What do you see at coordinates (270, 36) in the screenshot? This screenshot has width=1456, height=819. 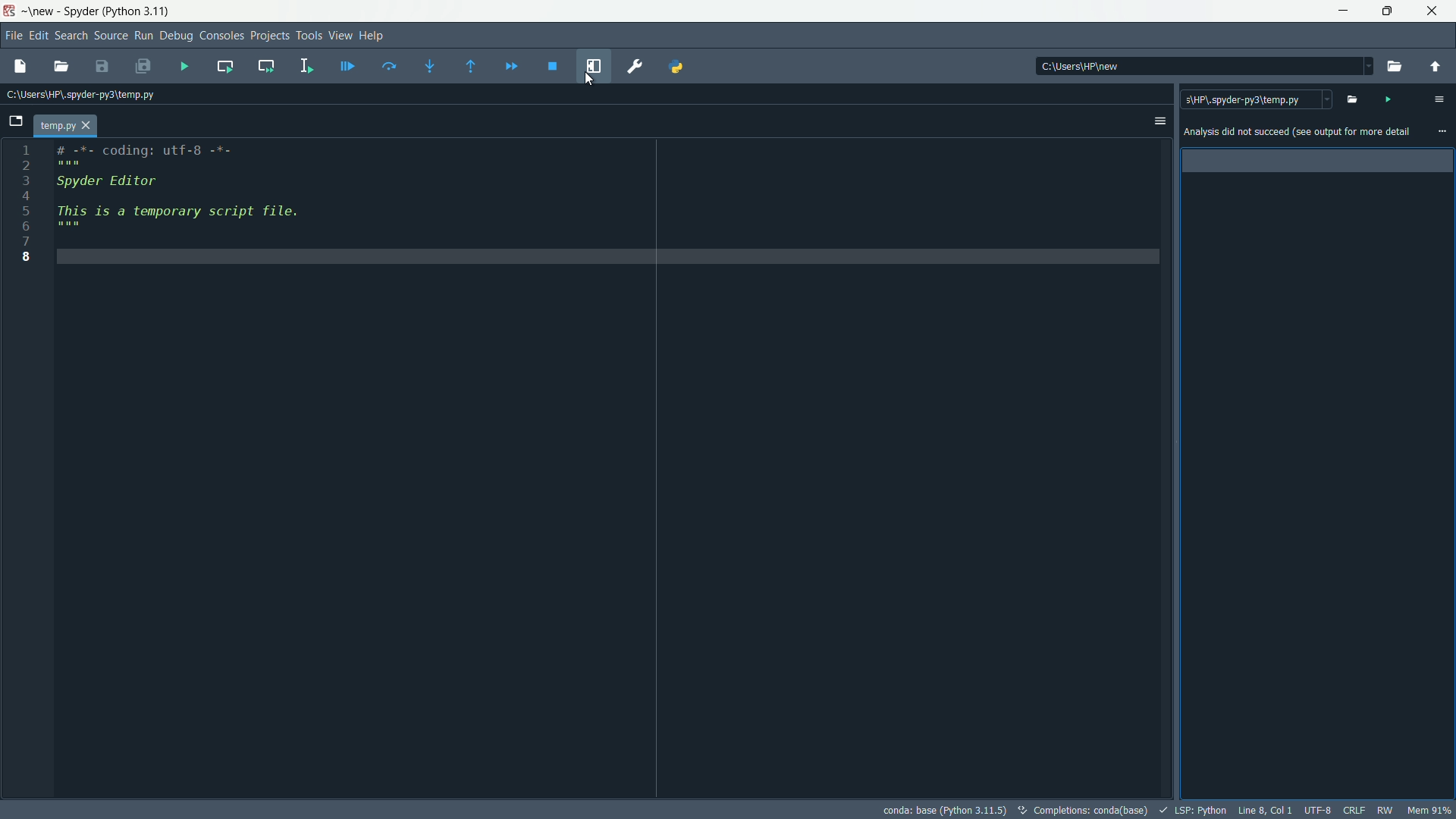 I see `projects menu` at bounding box center [270, 36].